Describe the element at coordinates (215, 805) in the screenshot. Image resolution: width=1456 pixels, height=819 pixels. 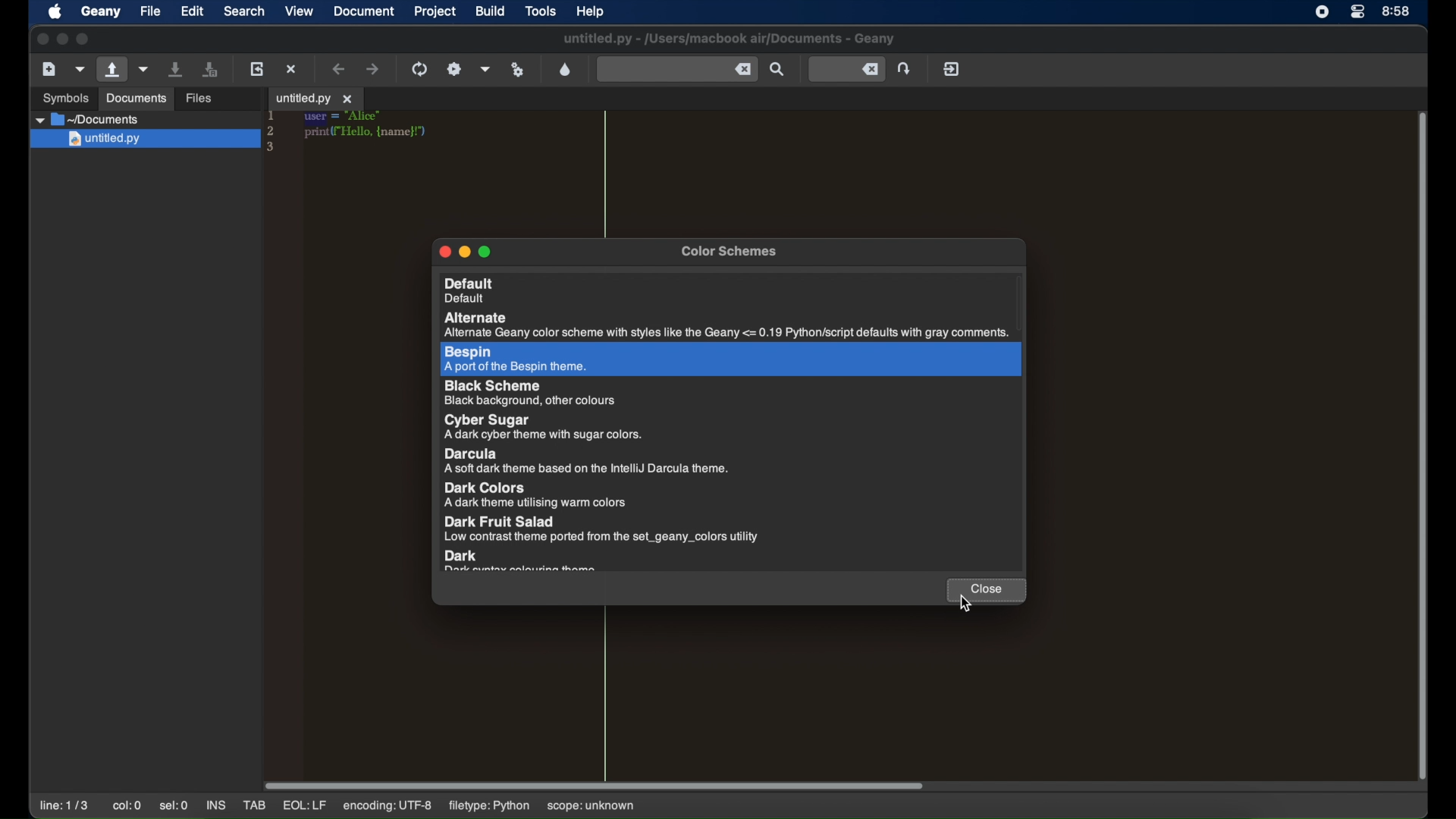
I see `ins` at that location.